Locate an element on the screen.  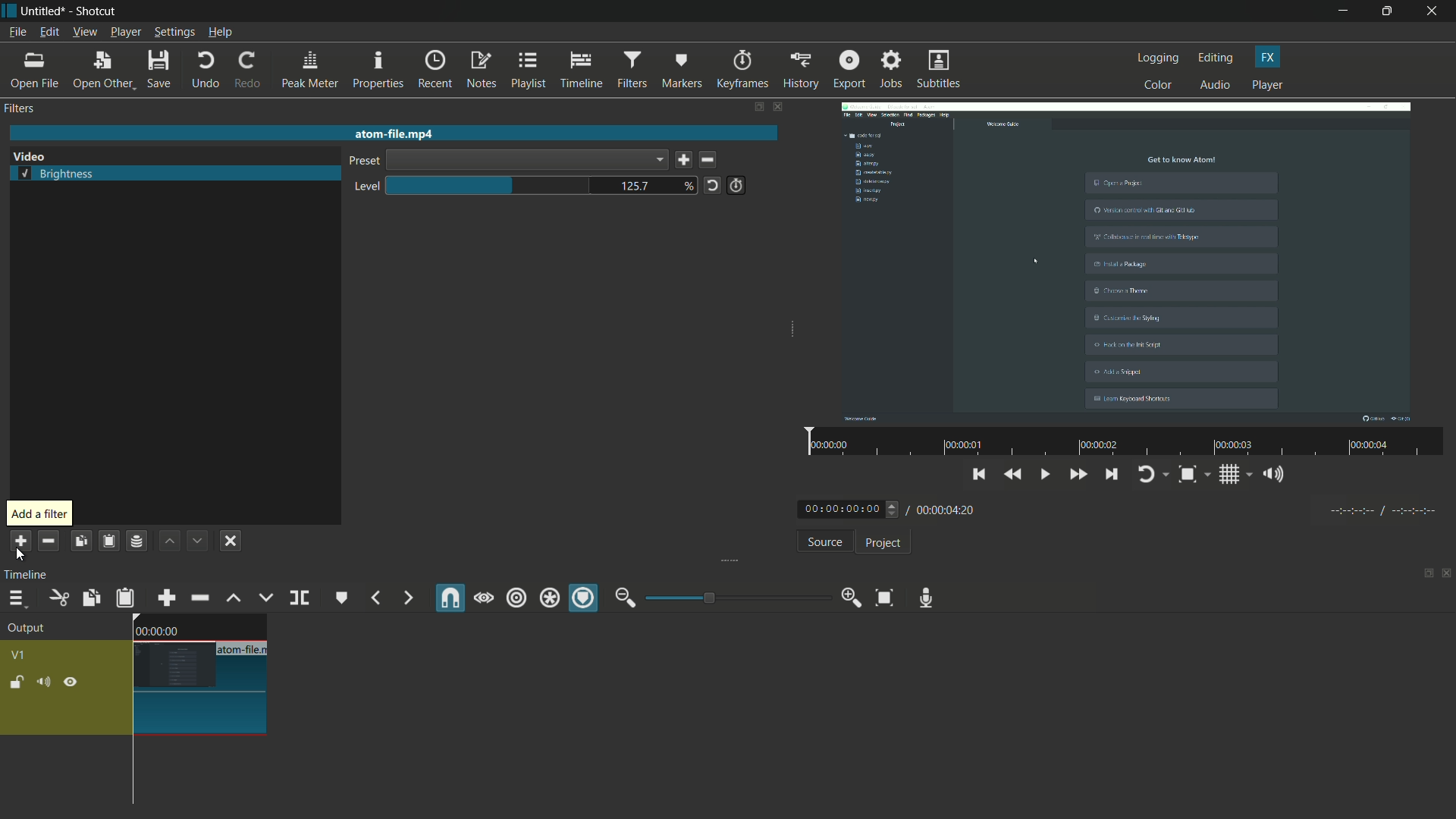
timeline is located at coordinates (582, 71).